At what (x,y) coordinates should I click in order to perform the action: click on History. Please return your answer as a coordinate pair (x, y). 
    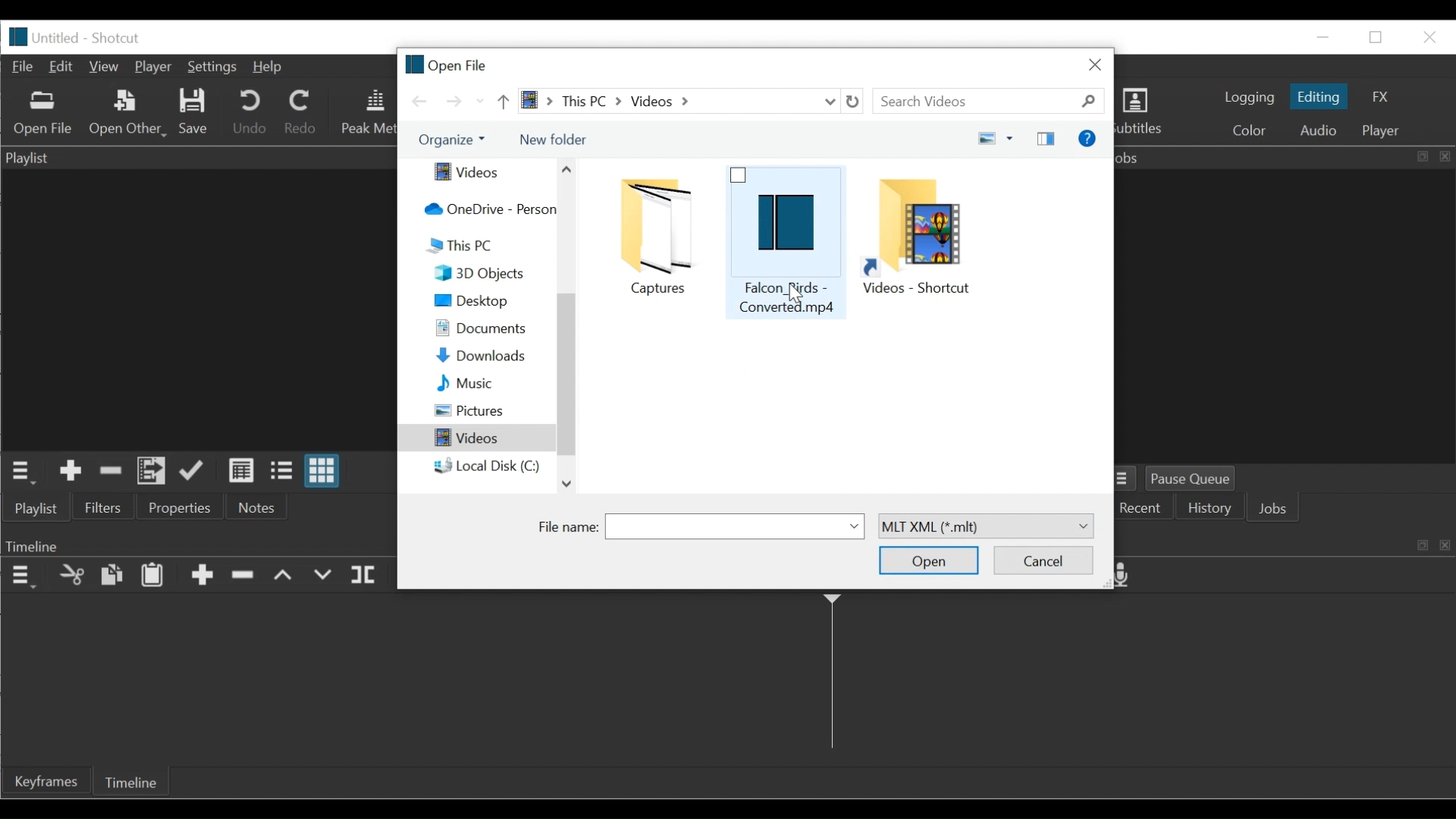
    Looking at the image, I should click on (1212, 510).